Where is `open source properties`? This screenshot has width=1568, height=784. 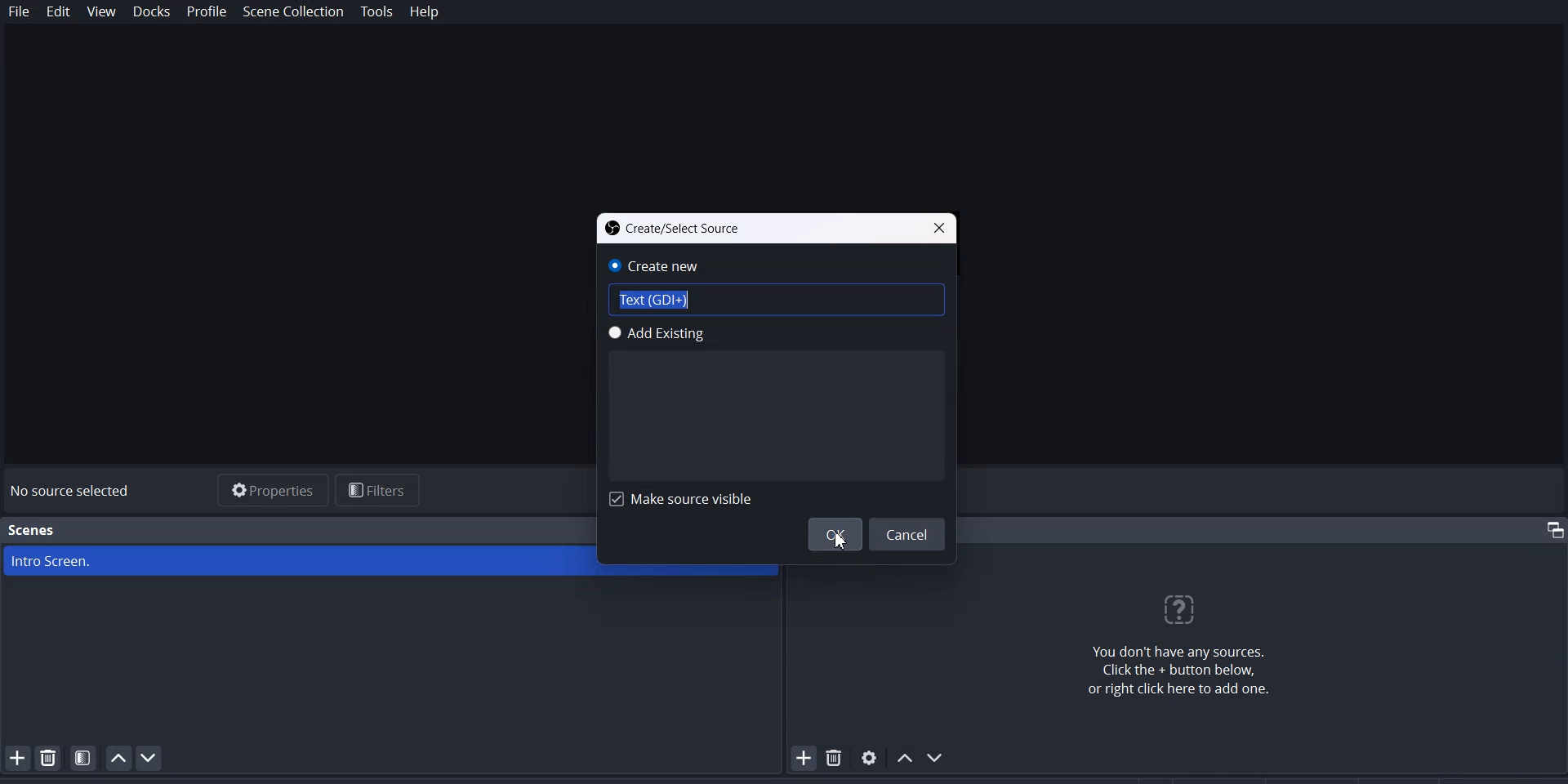 open source properties is located at coordinates (870, 757).